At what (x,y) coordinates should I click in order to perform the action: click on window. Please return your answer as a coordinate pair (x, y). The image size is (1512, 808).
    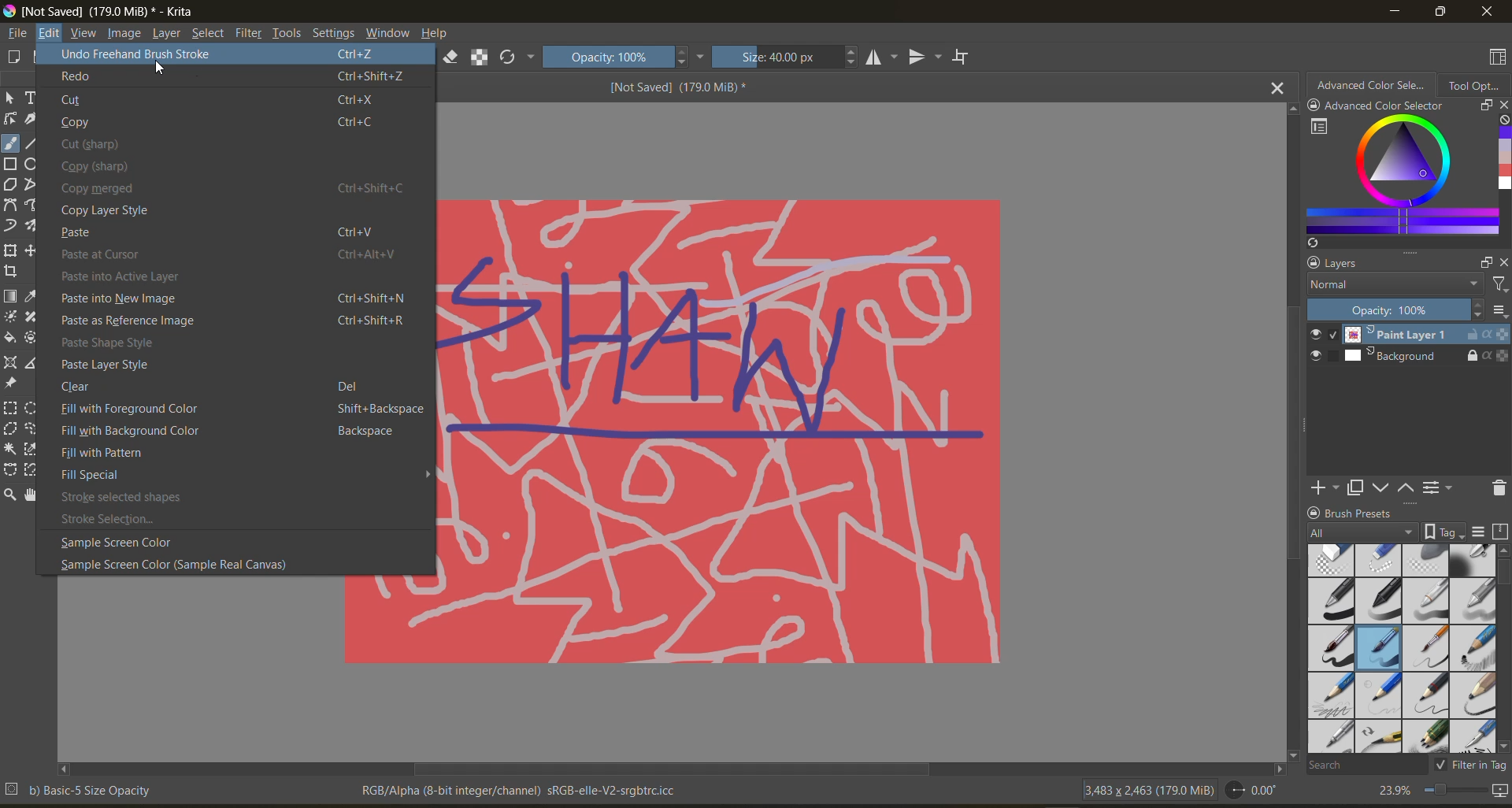
    Looking at the image, I should click on (388, 32).